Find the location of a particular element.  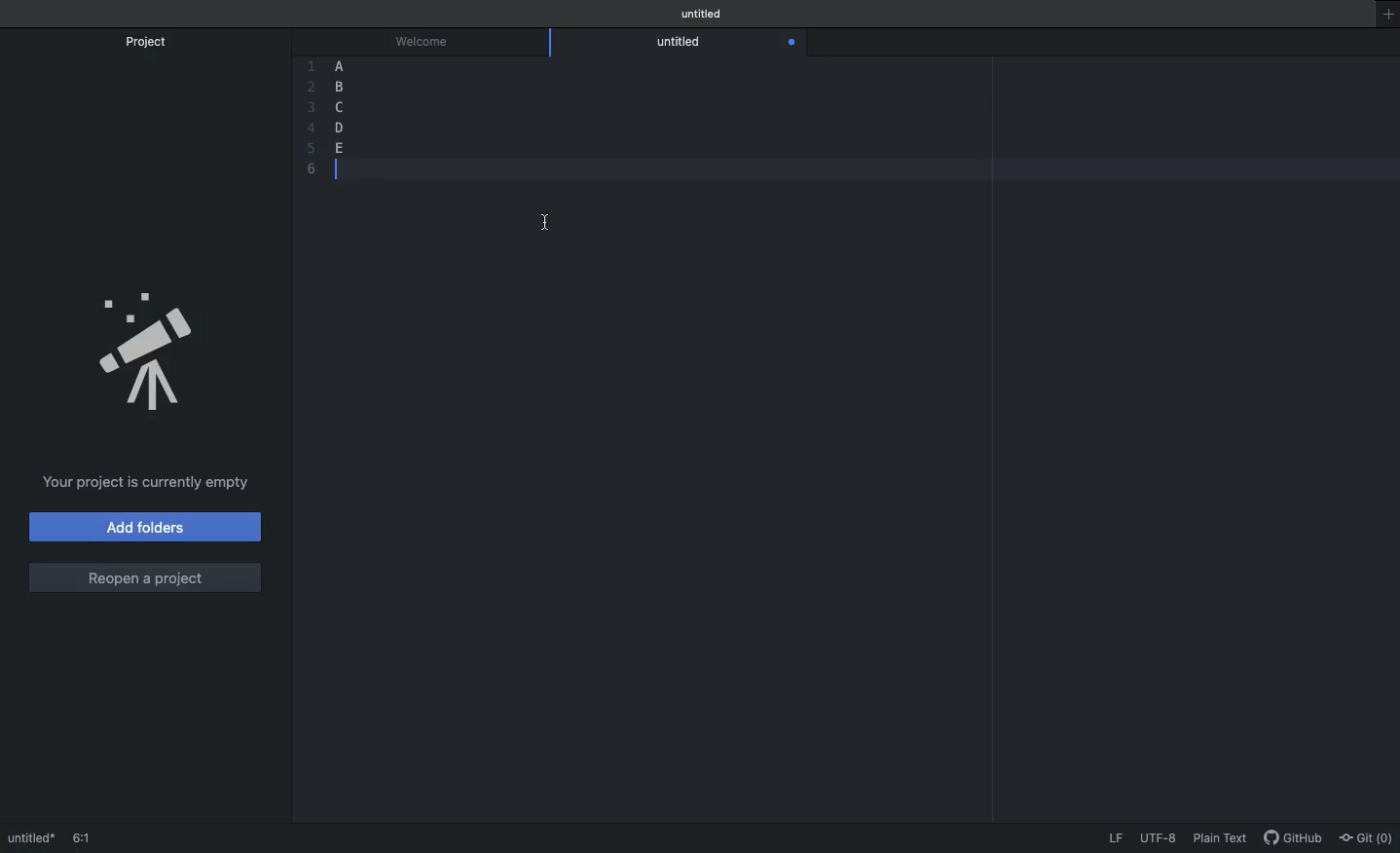

1
2
3
4
5
6 is located at coordinates (310, 115).